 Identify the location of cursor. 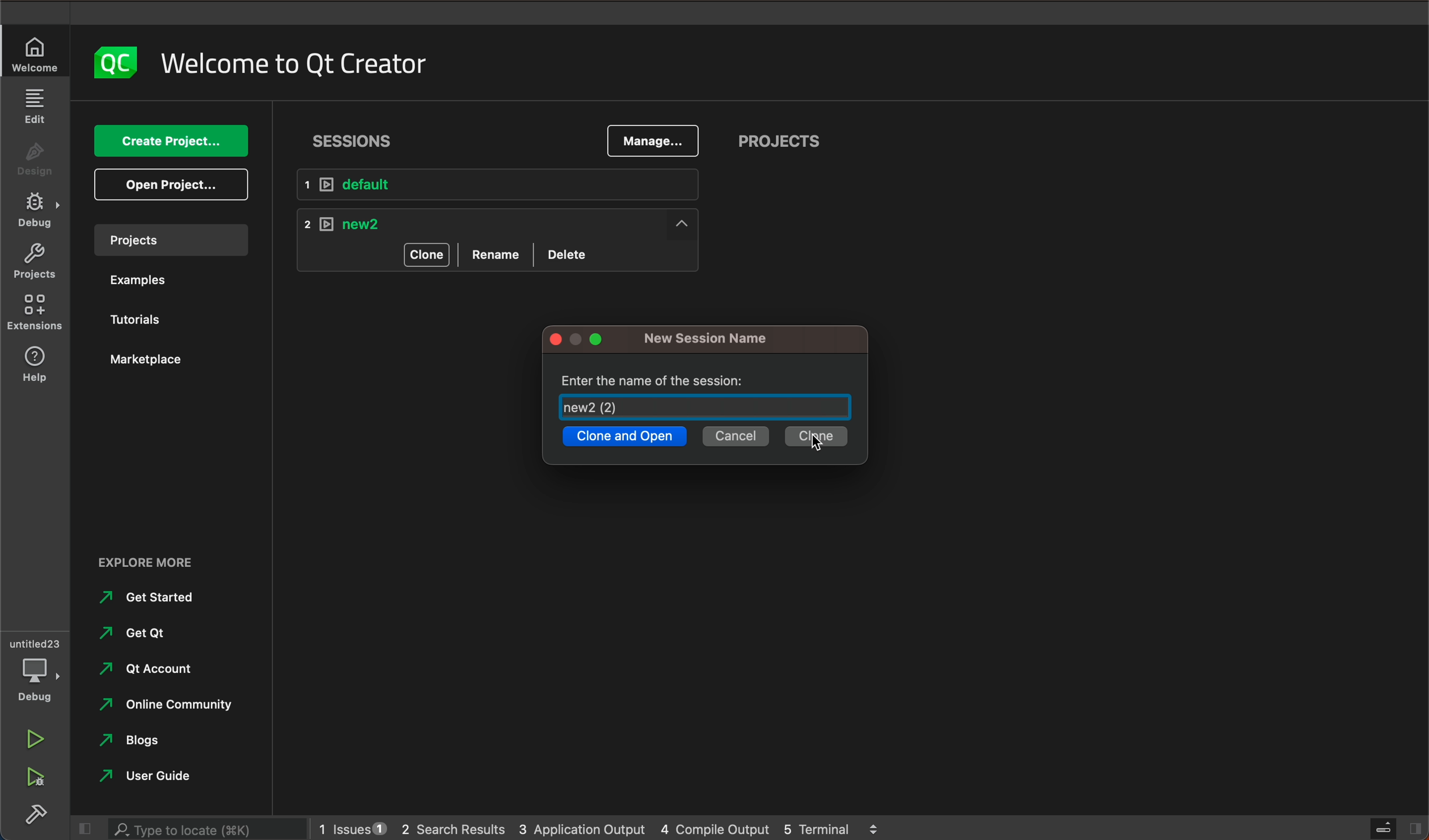
(816, 444).